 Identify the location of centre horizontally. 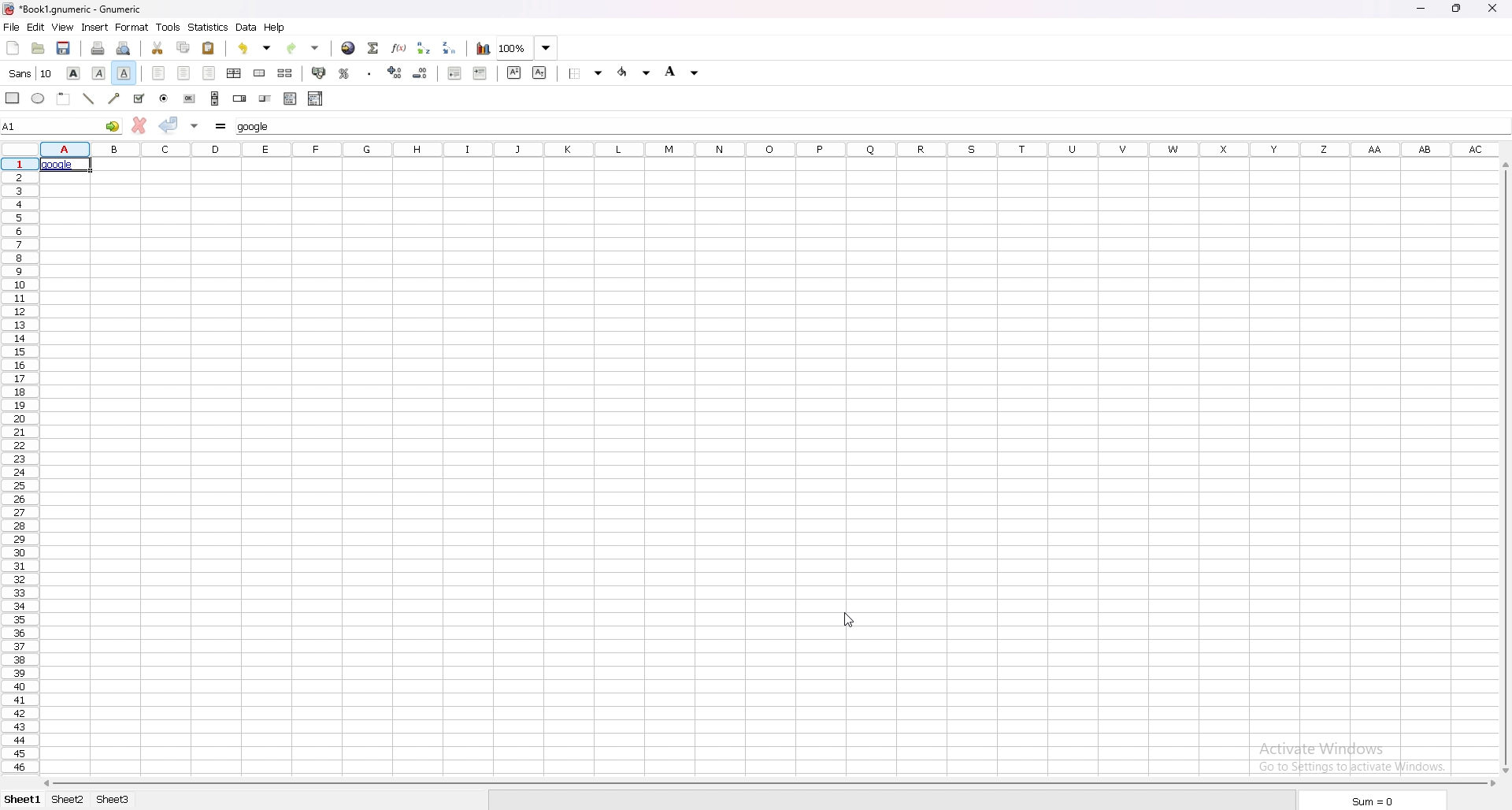
(235, 72).